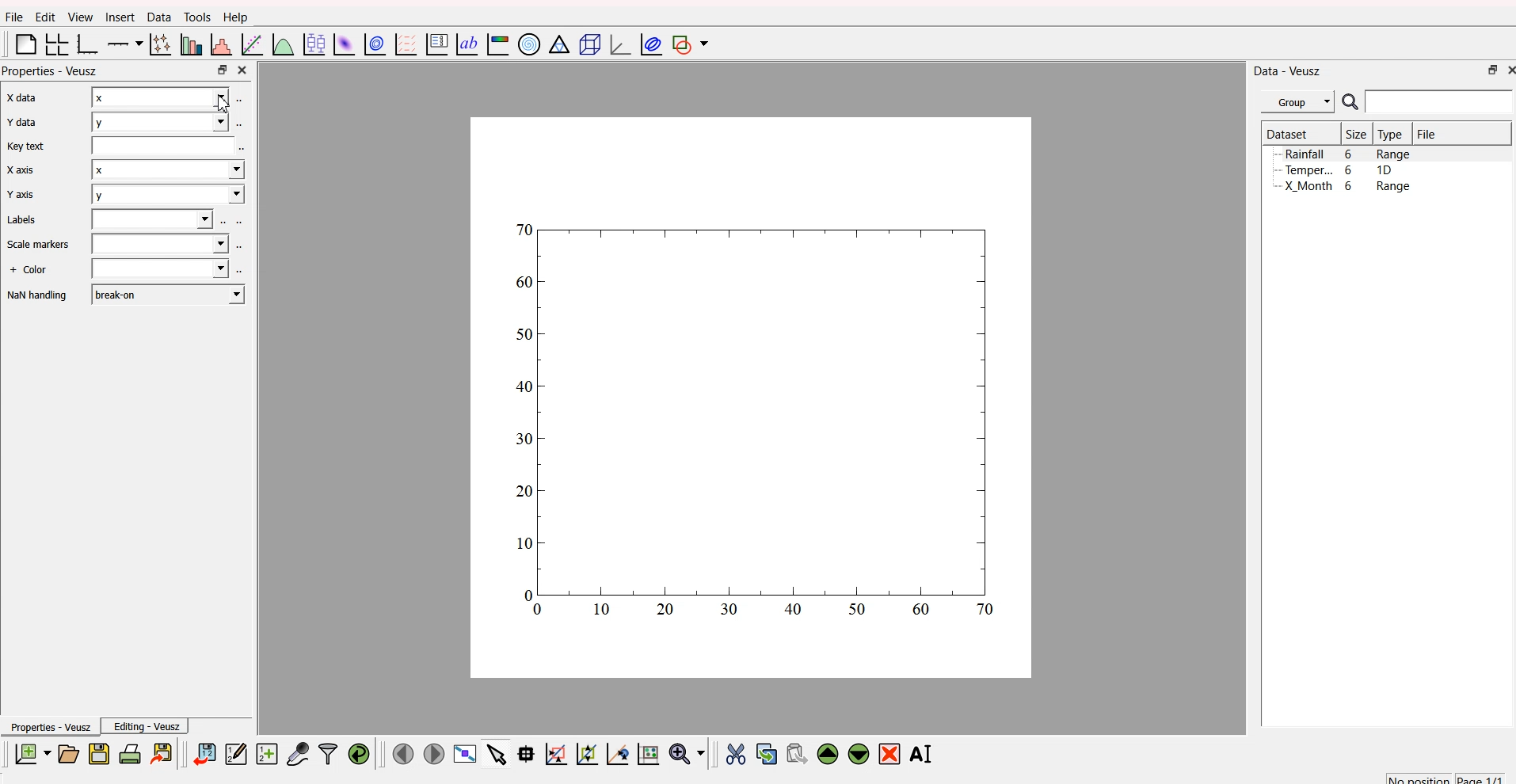 The width and height of the screenshot is (1516, 784). Describe the element at coordinates (119, 17) in the screenshot. I see `Insert` at that location.